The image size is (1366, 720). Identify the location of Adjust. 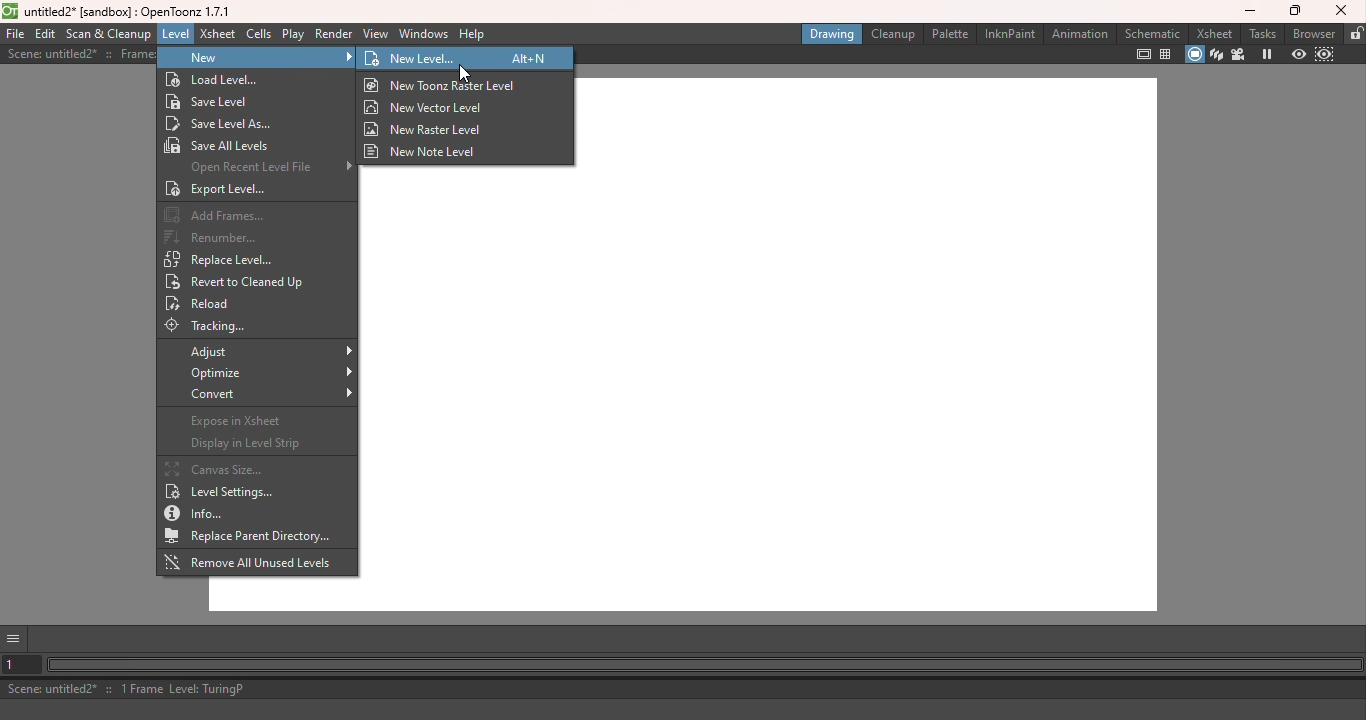
(269, 351).